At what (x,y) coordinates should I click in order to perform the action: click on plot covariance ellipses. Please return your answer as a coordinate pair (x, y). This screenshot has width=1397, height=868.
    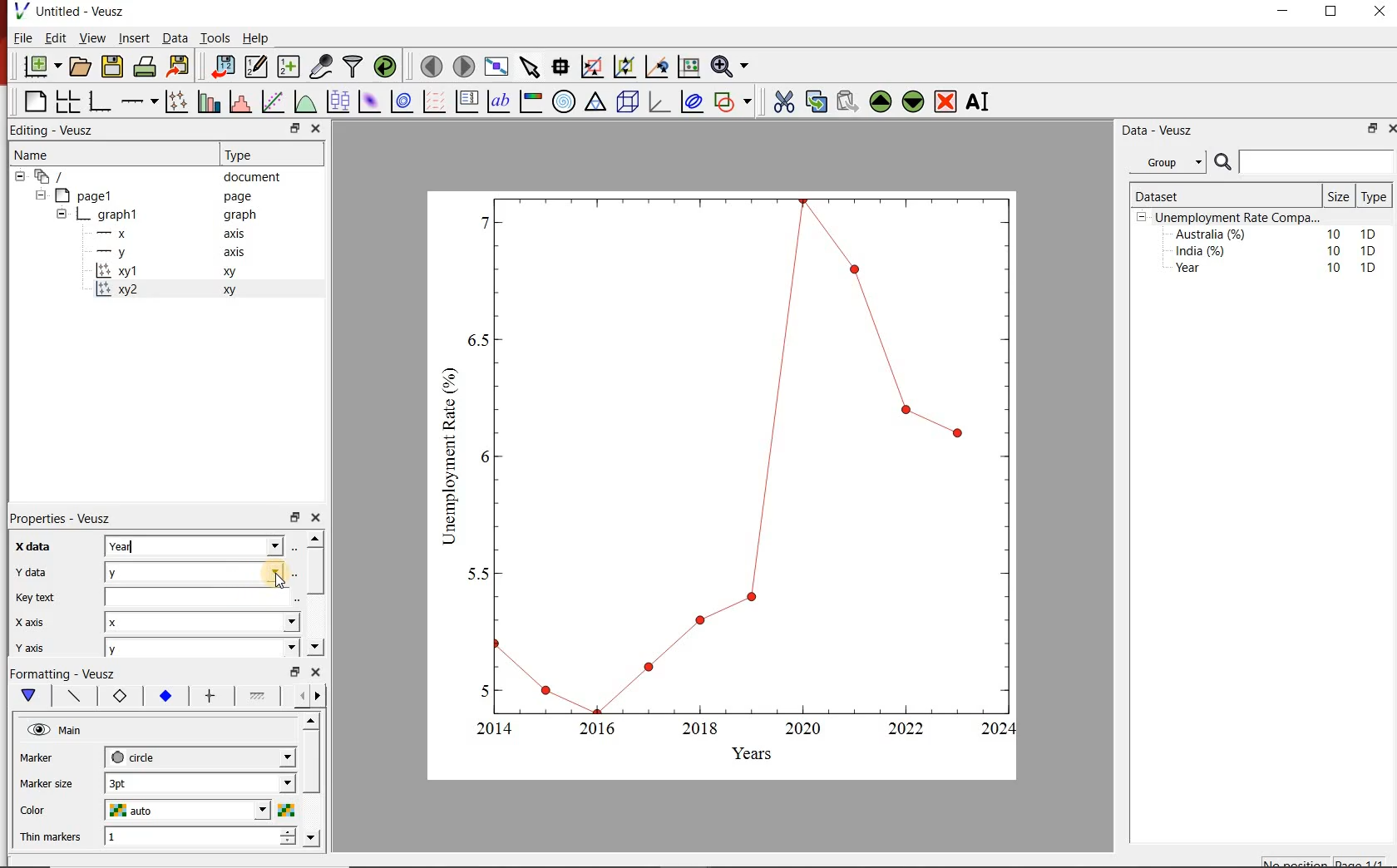
    Looking at the image, I should click on (693, 101).